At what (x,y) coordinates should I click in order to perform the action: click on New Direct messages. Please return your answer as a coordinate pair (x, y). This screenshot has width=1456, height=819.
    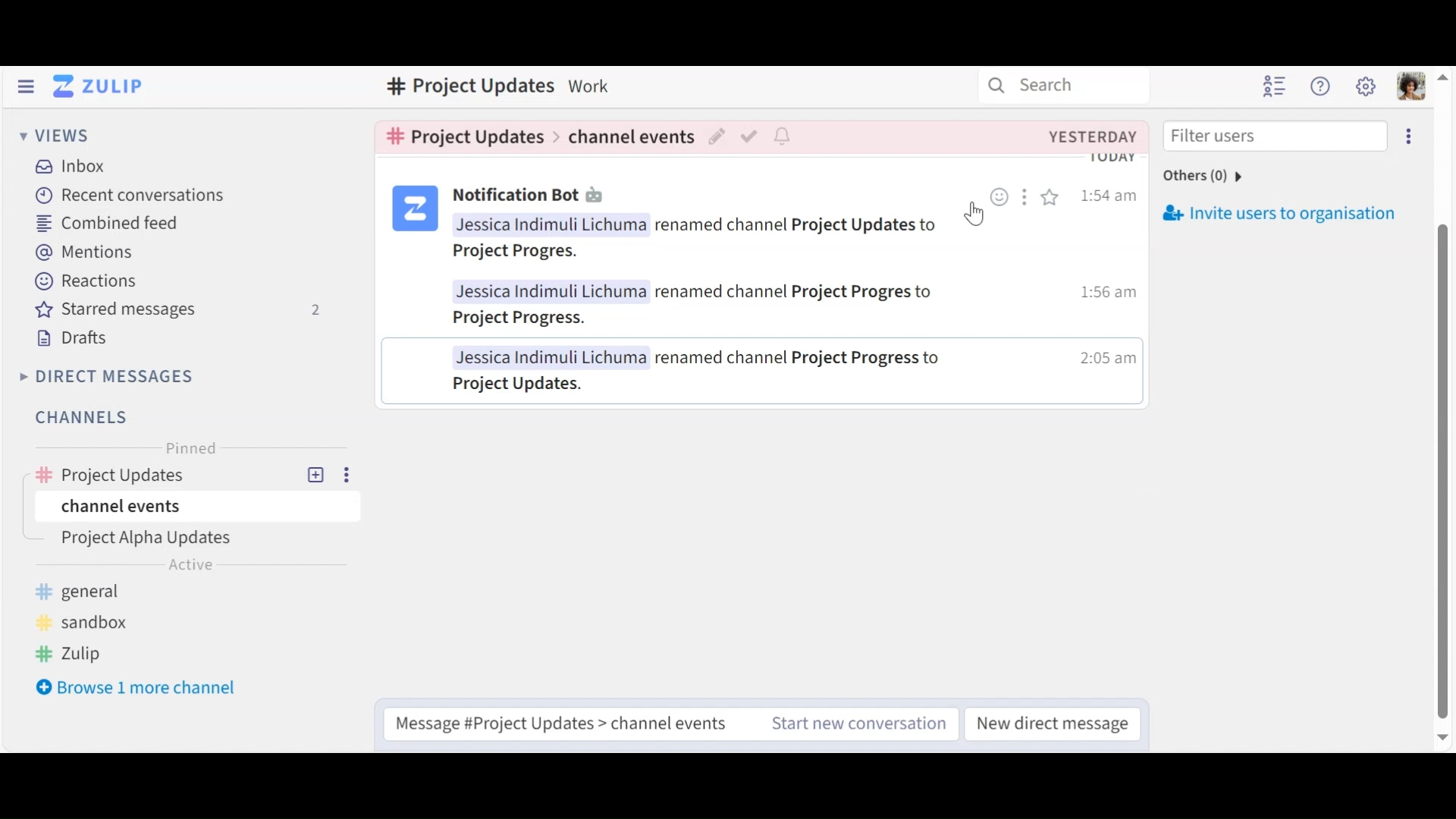
    Looking at the image, I should click on (1048, 723).